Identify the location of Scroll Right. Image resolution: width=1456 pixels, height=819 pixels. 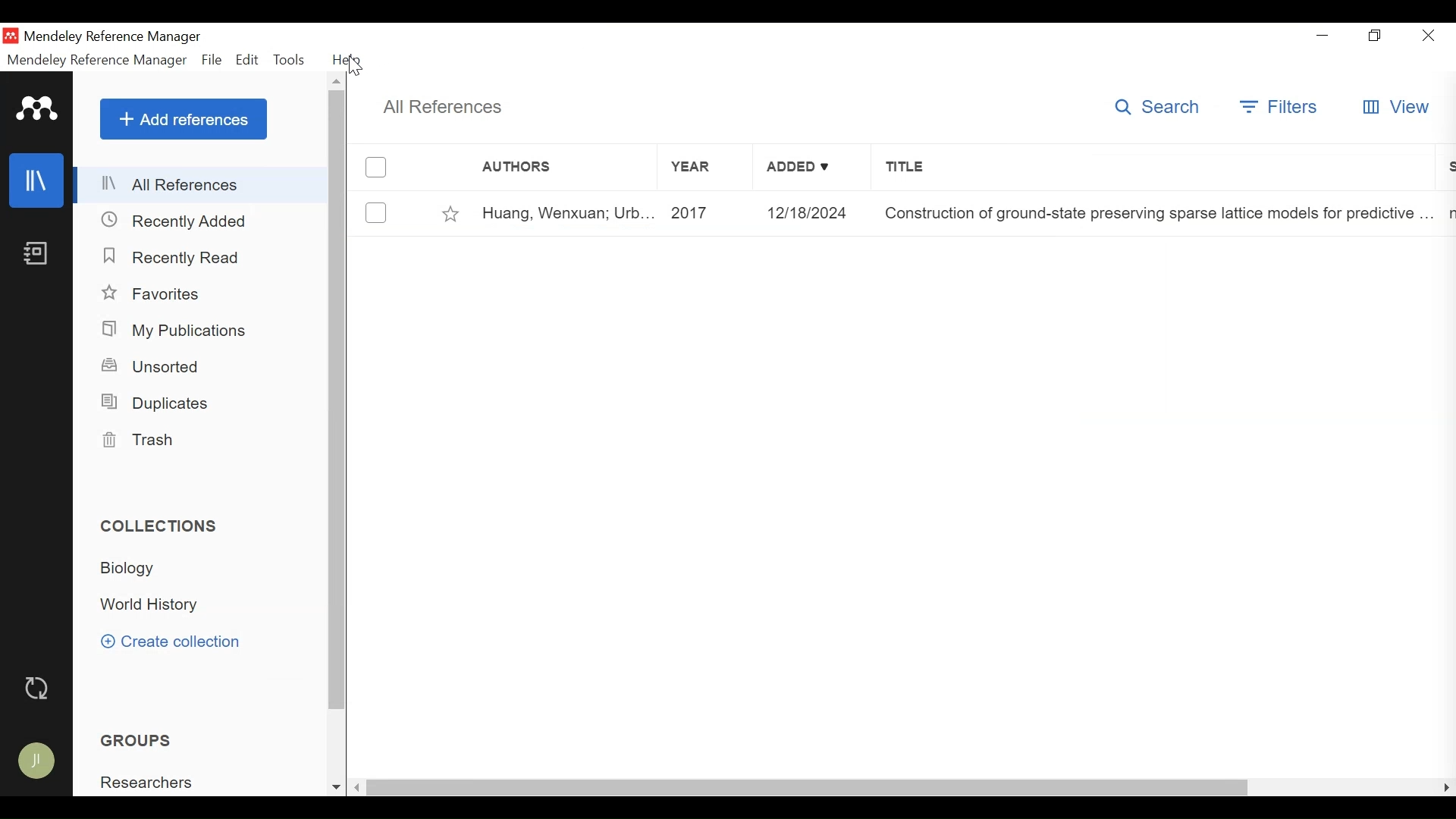
(1441, 788).